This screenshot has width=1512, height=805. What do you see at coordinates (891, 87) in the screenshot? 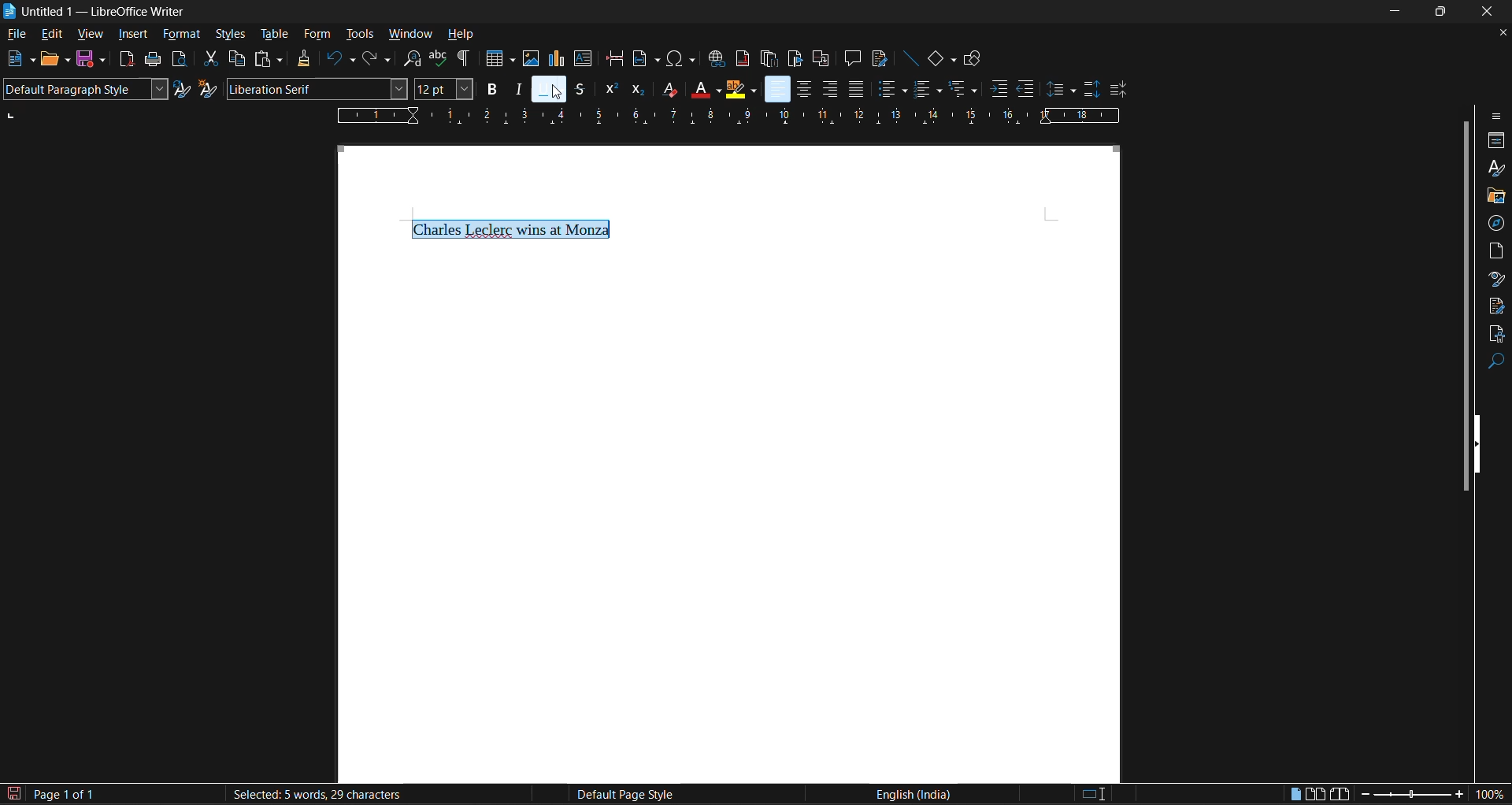
I see `toggle unordered list` at bounding box center [891, 87].